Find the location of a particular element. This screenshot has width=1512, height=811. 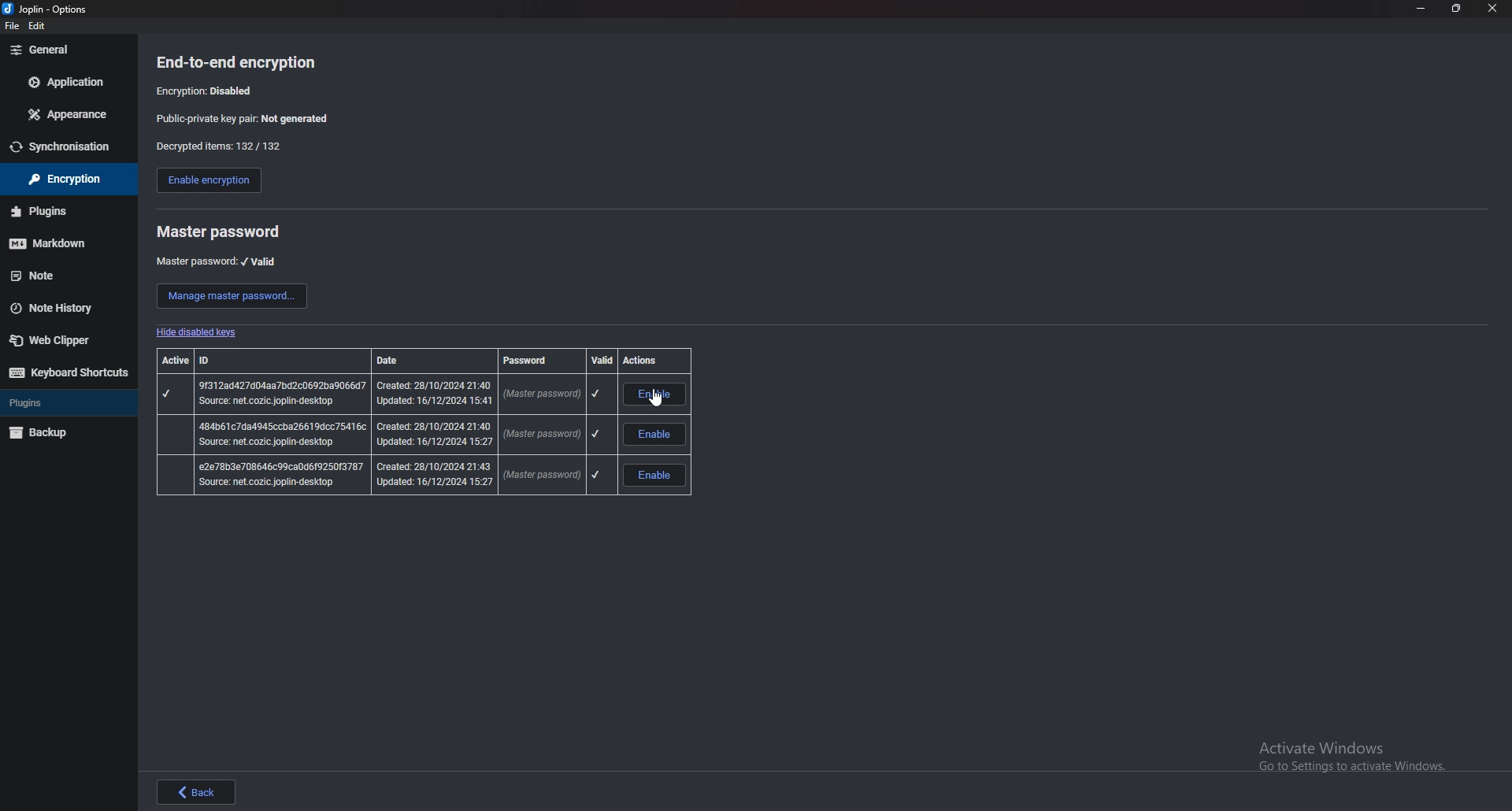

close is located at coordinates (1491, 9).